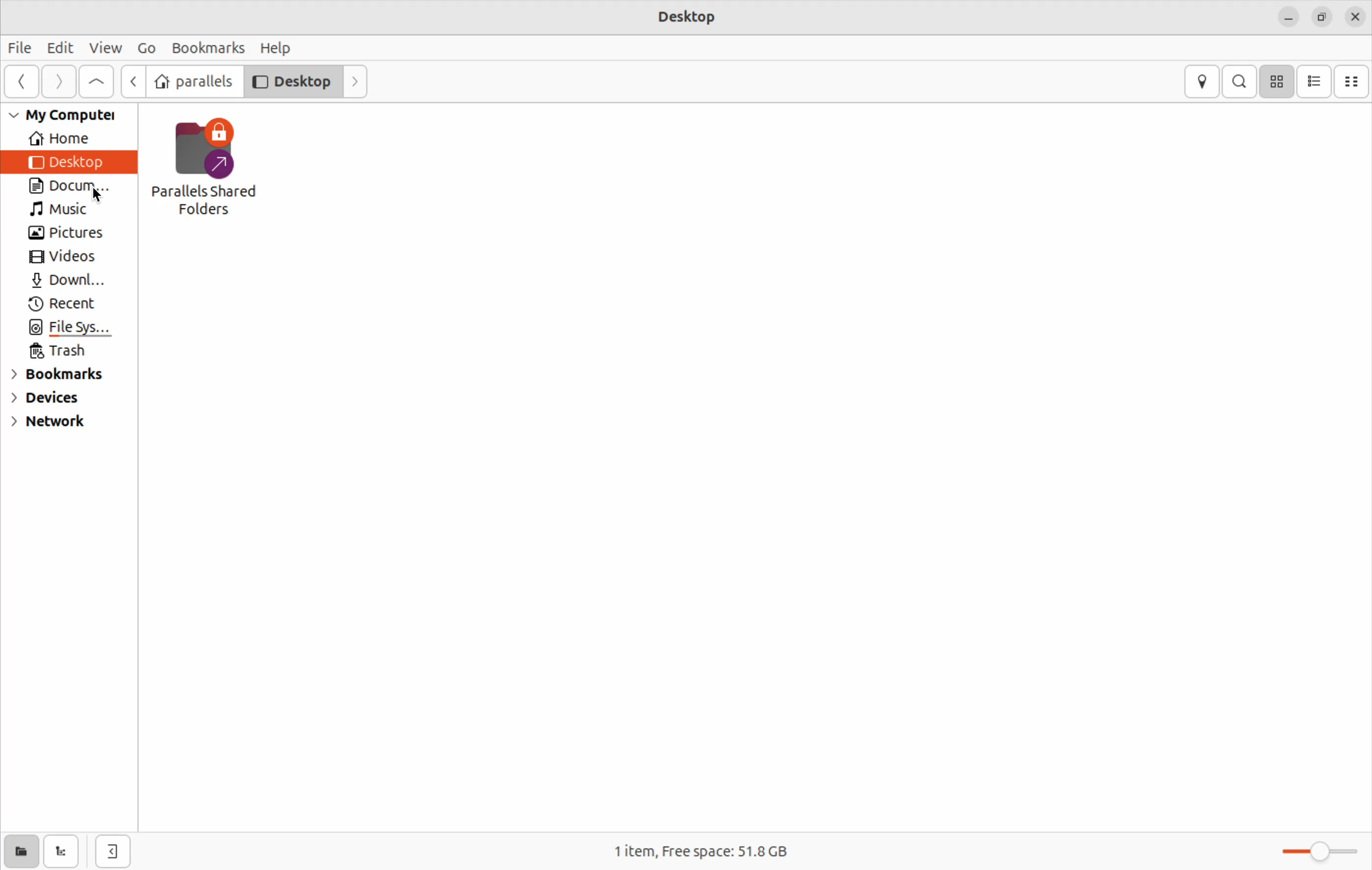  I want to click on Music, so click(73, 211).